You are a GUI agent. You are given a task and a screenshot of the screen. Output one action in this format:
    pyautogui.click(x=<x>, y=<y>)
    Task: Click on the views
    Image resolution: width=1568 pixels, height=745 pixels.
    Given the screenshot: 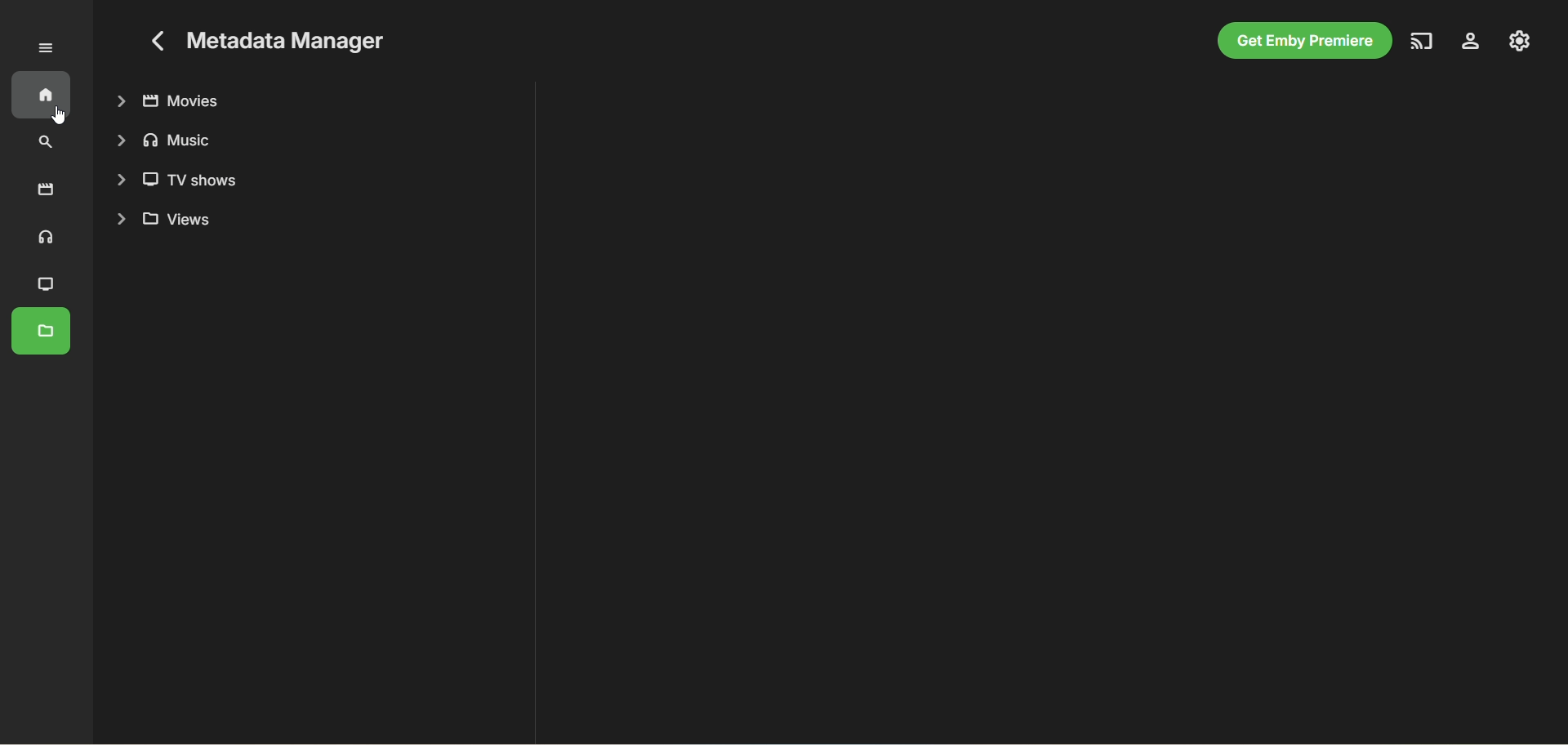 What is the action you would take?
    pyautogui.click(x=163, y=219)
    